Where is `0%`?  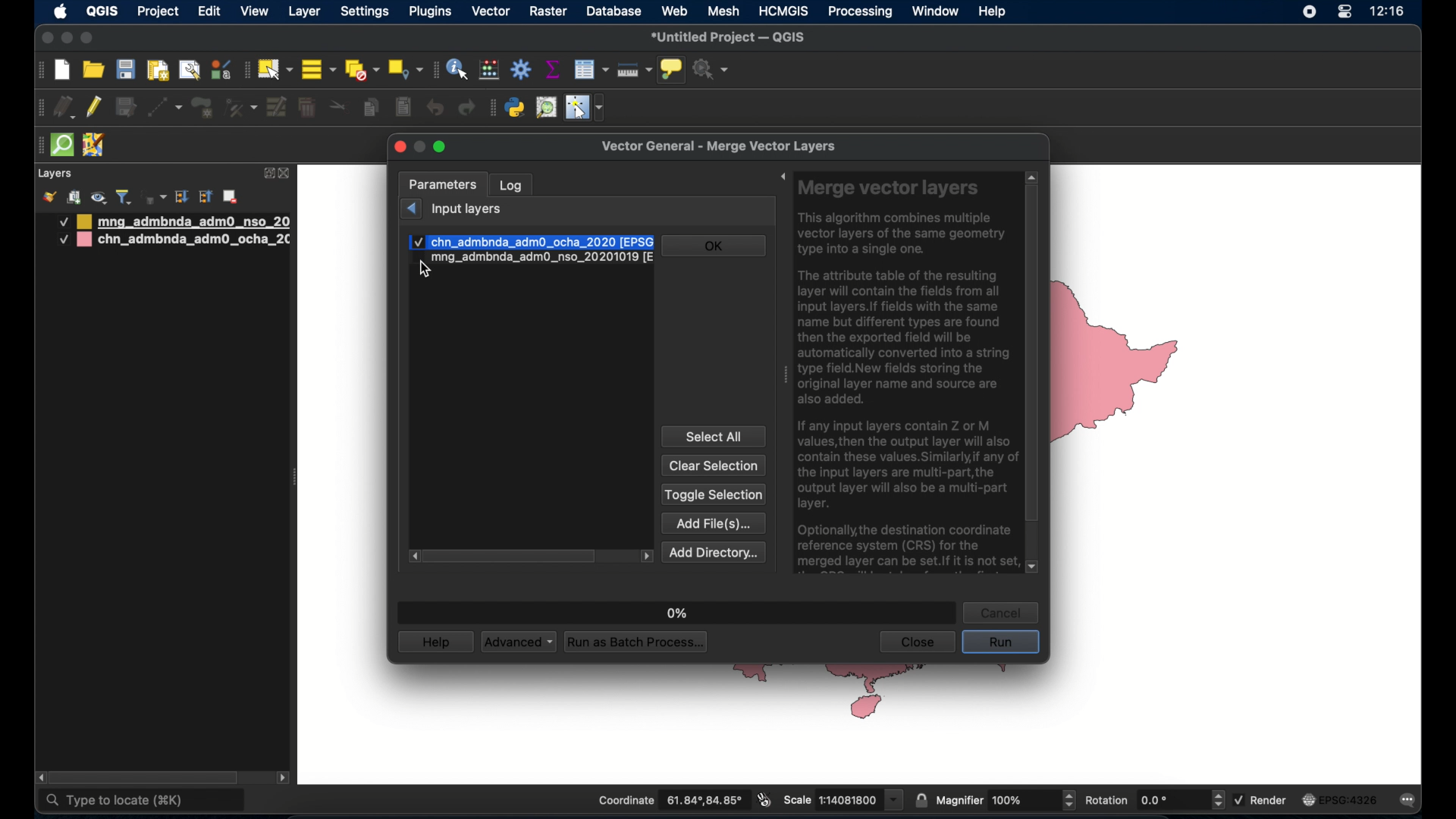 0% is located at coordinates (674, 609).